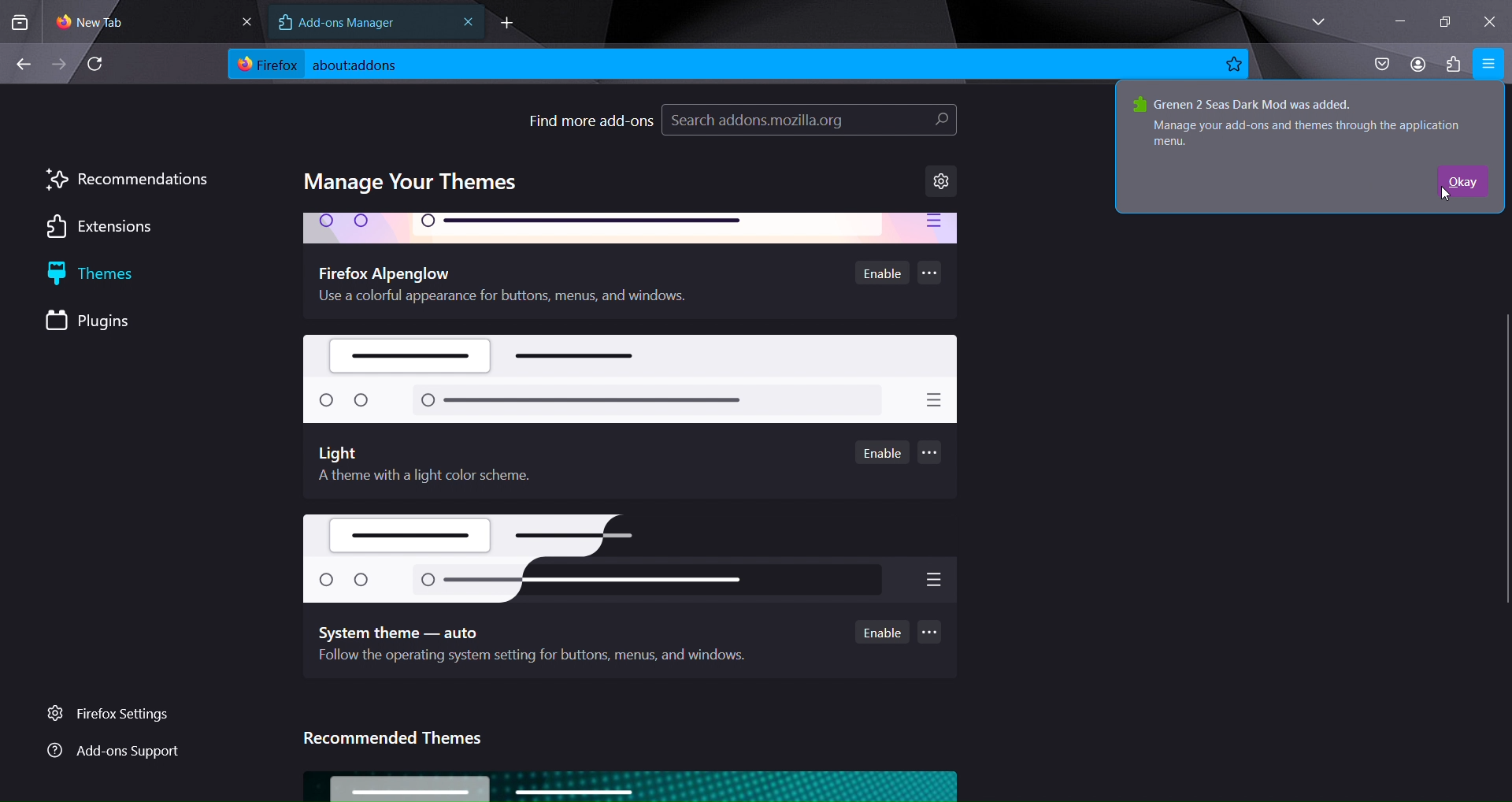  I want to click on list all tabs, so click(1314, 20).